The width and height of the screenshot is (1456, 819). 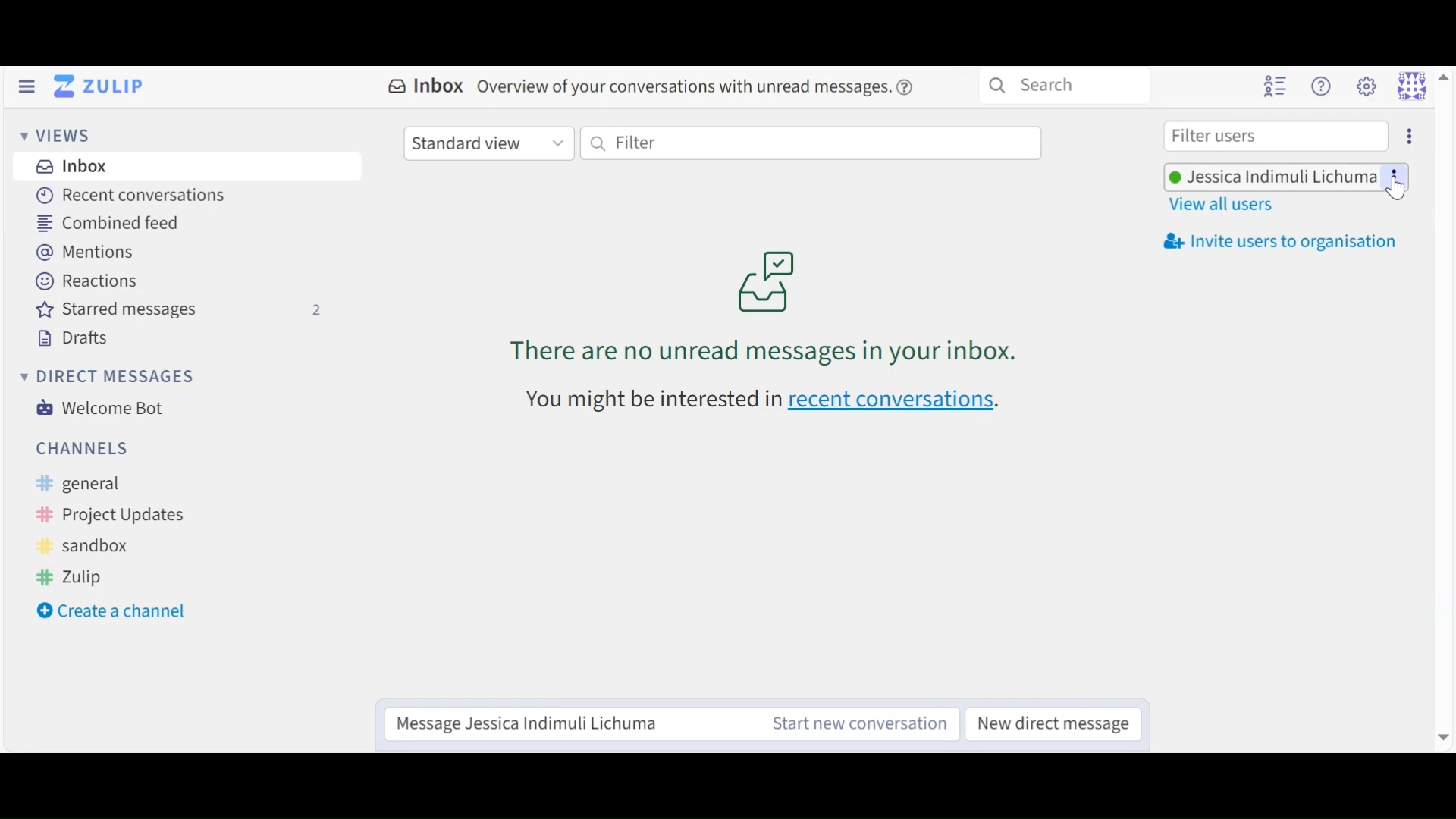 I want to click on Channels, so click(x=83, y=447).